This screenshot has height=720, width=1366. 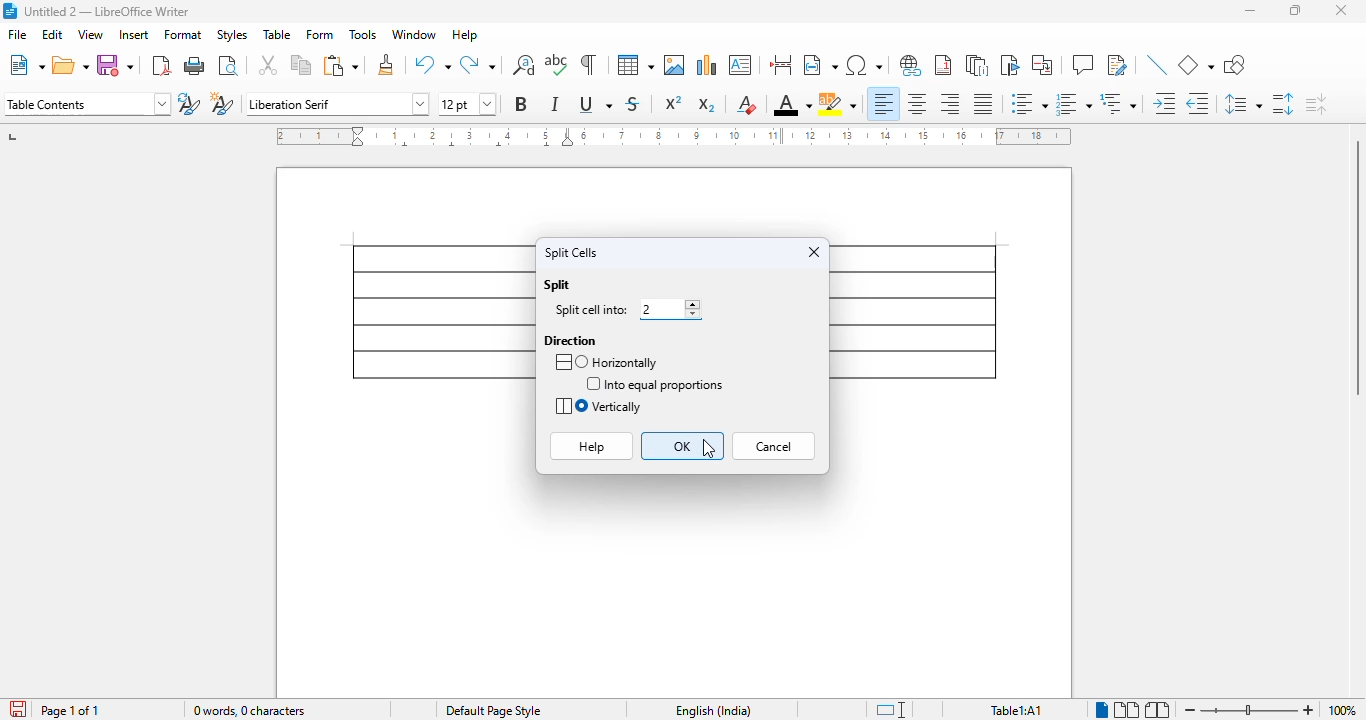 What do you see at coordinates (1119, 103) in the screenshot?
I see `select outline format` at bounding box center [1119, 103].